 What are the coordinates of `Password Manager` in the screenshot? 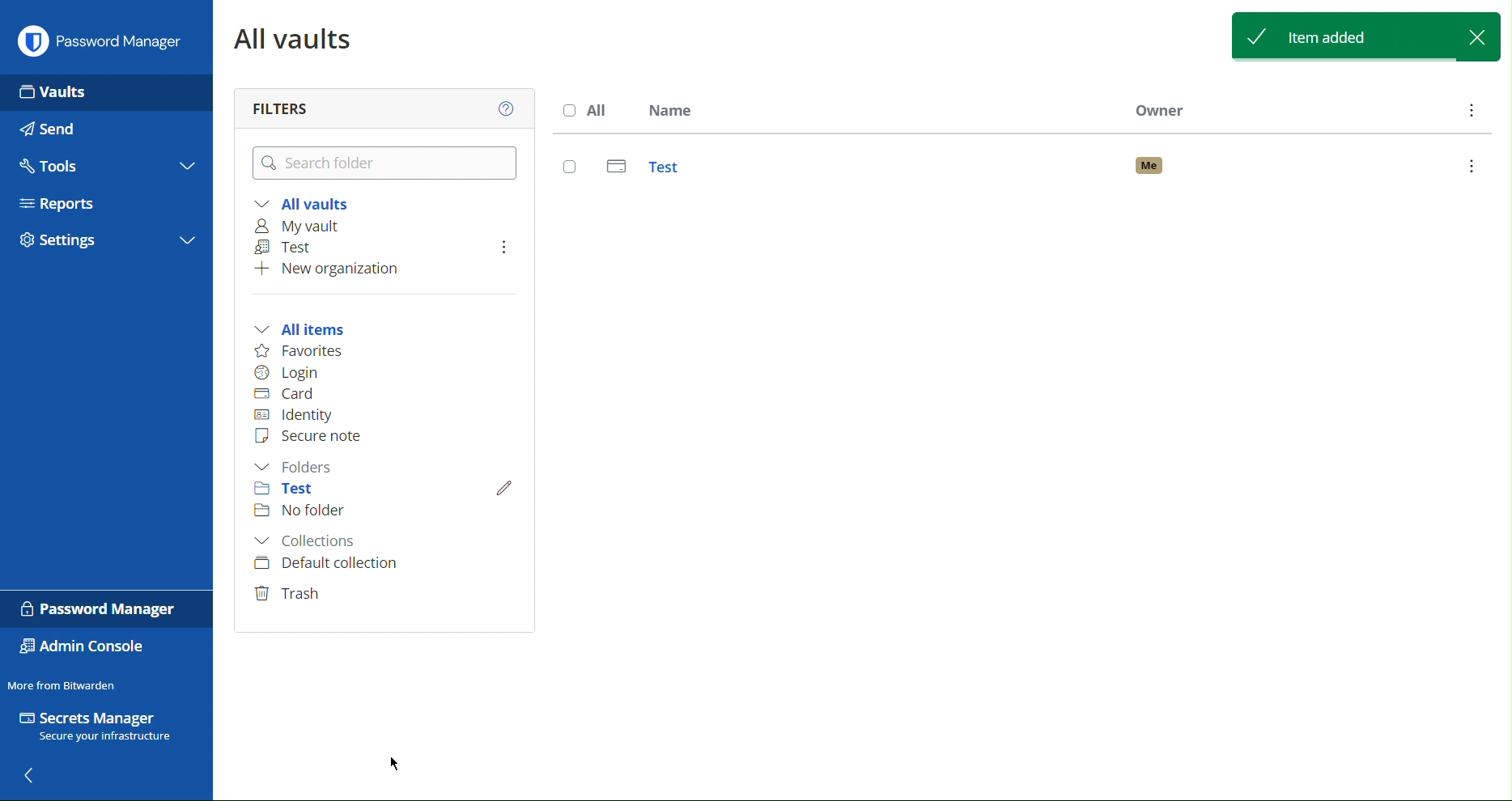 It's located at (110, 42).